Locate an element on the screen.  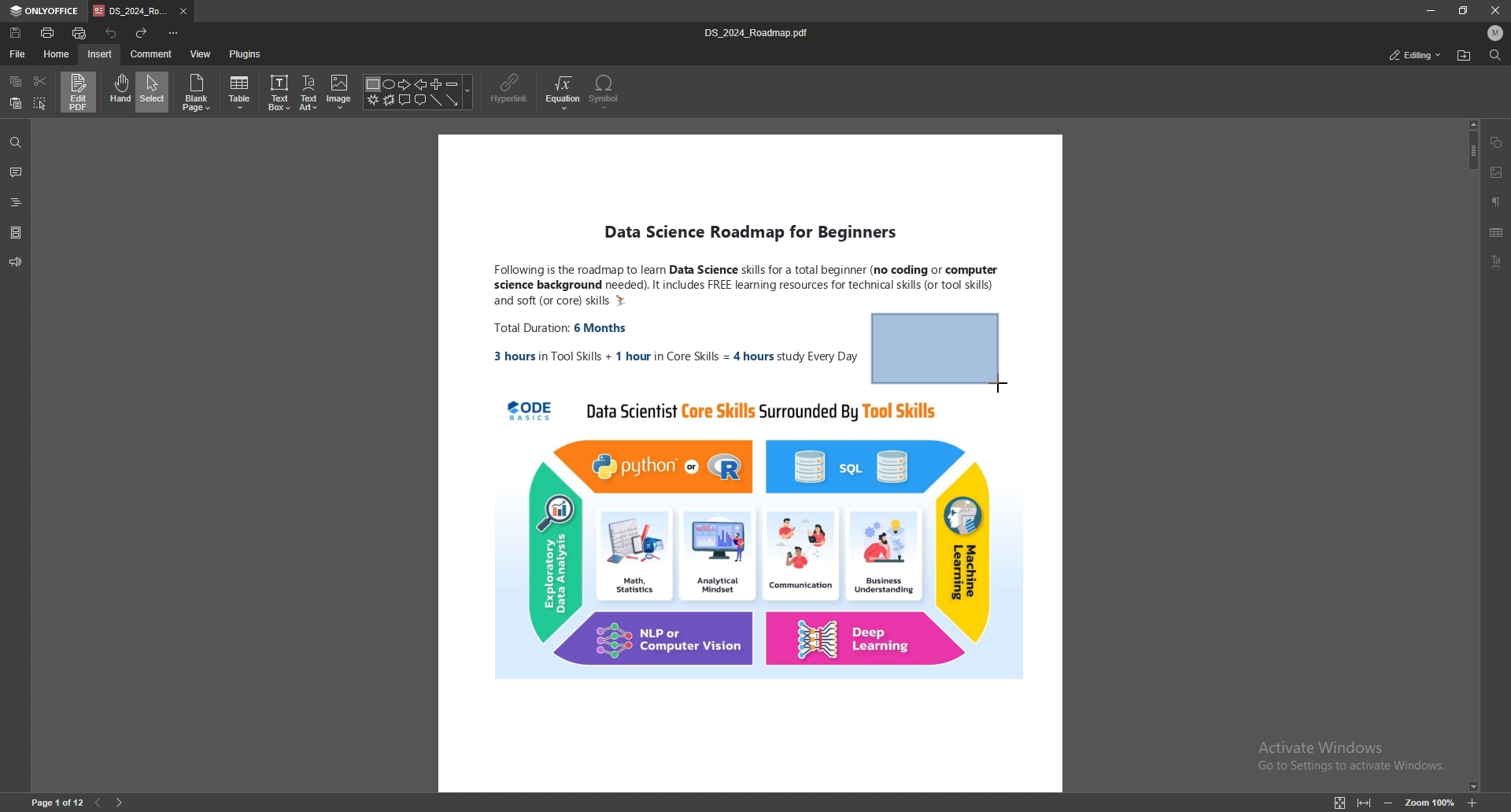
feedback is located at coordinates (16, 262).